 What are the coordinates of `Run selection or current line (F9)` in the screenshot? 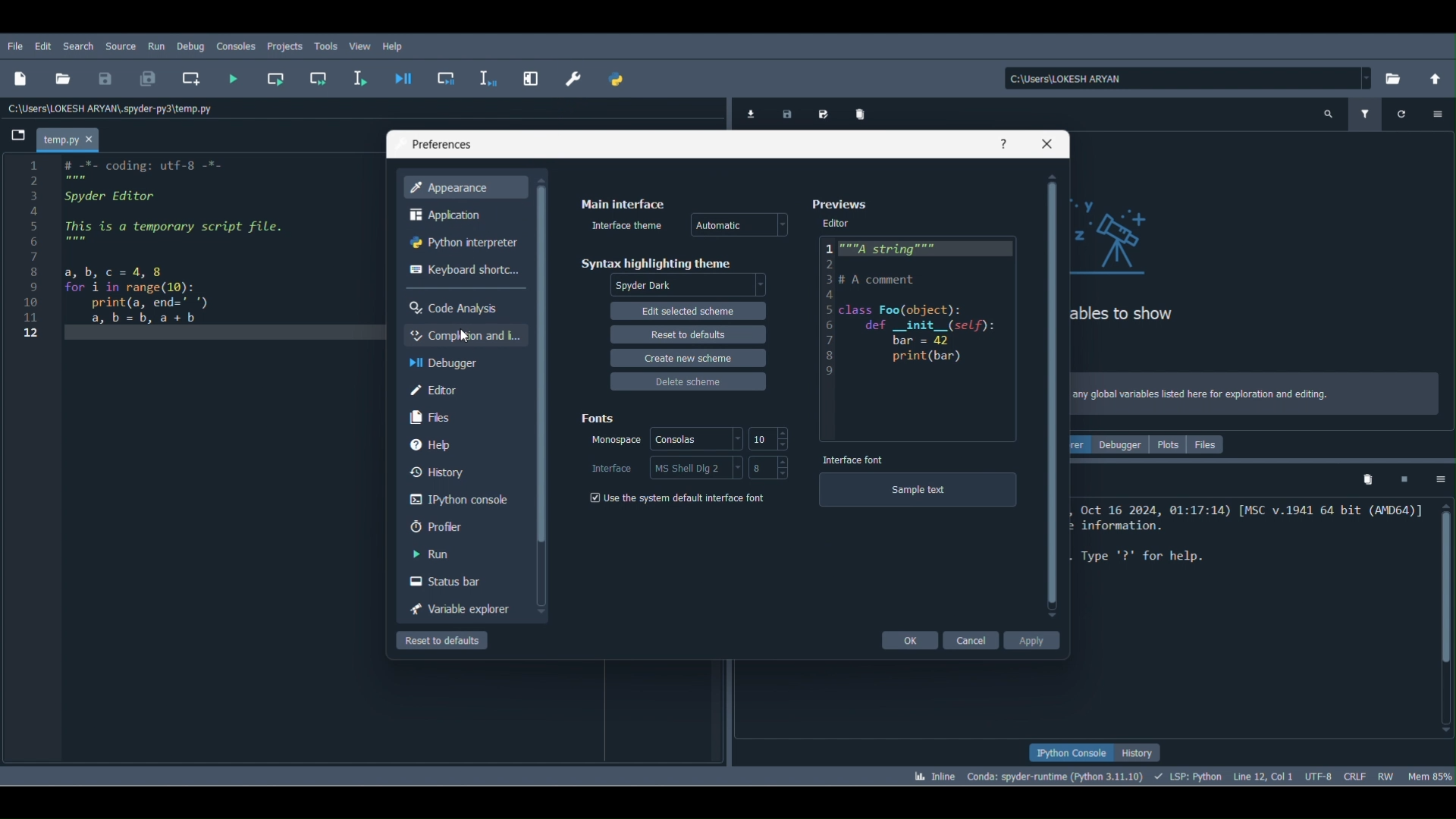 It's located at (366, 78).